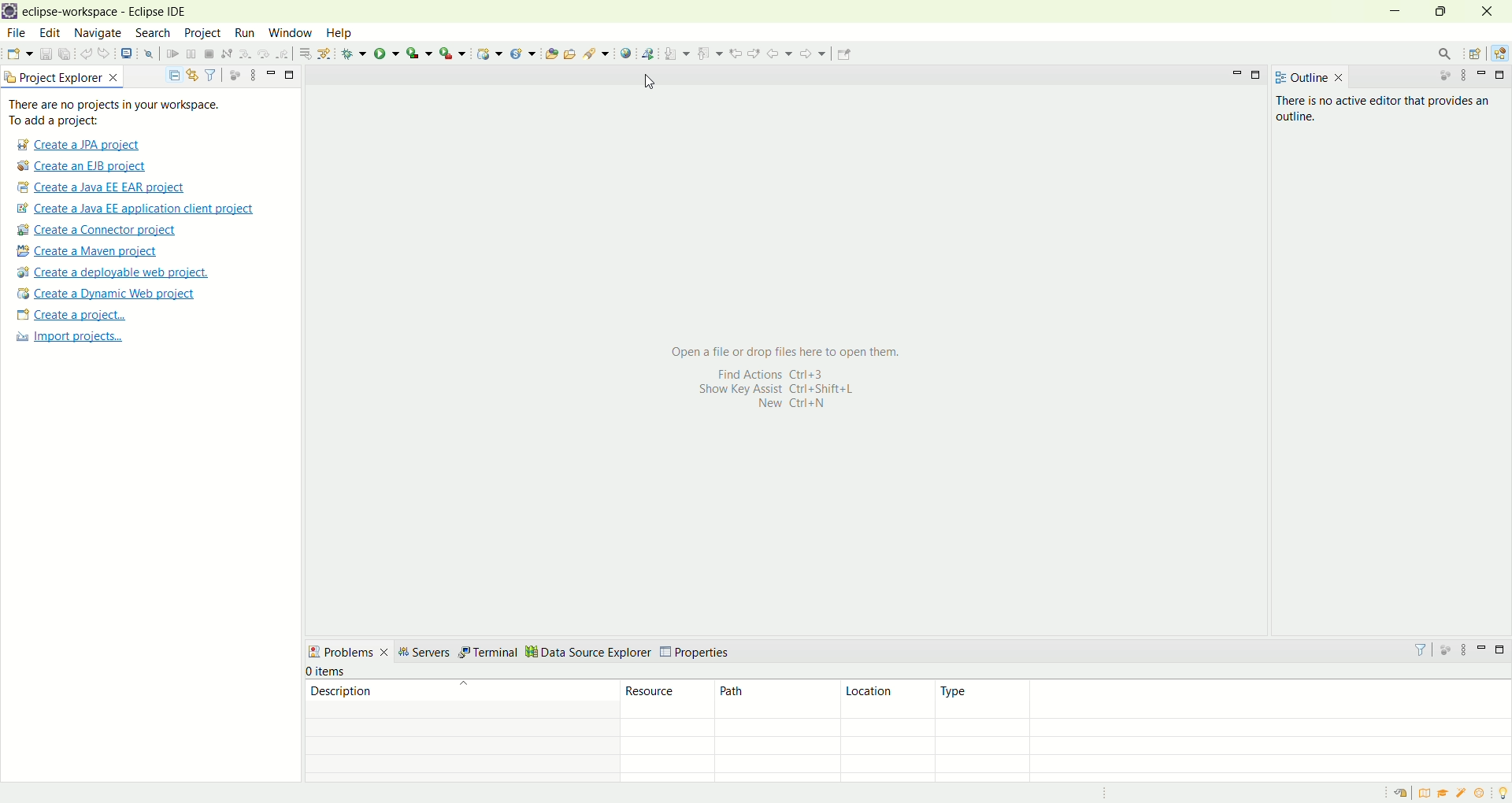 This screenshot has height=803, width=1512. I want to click on create a JPA project, so click(76, 145).